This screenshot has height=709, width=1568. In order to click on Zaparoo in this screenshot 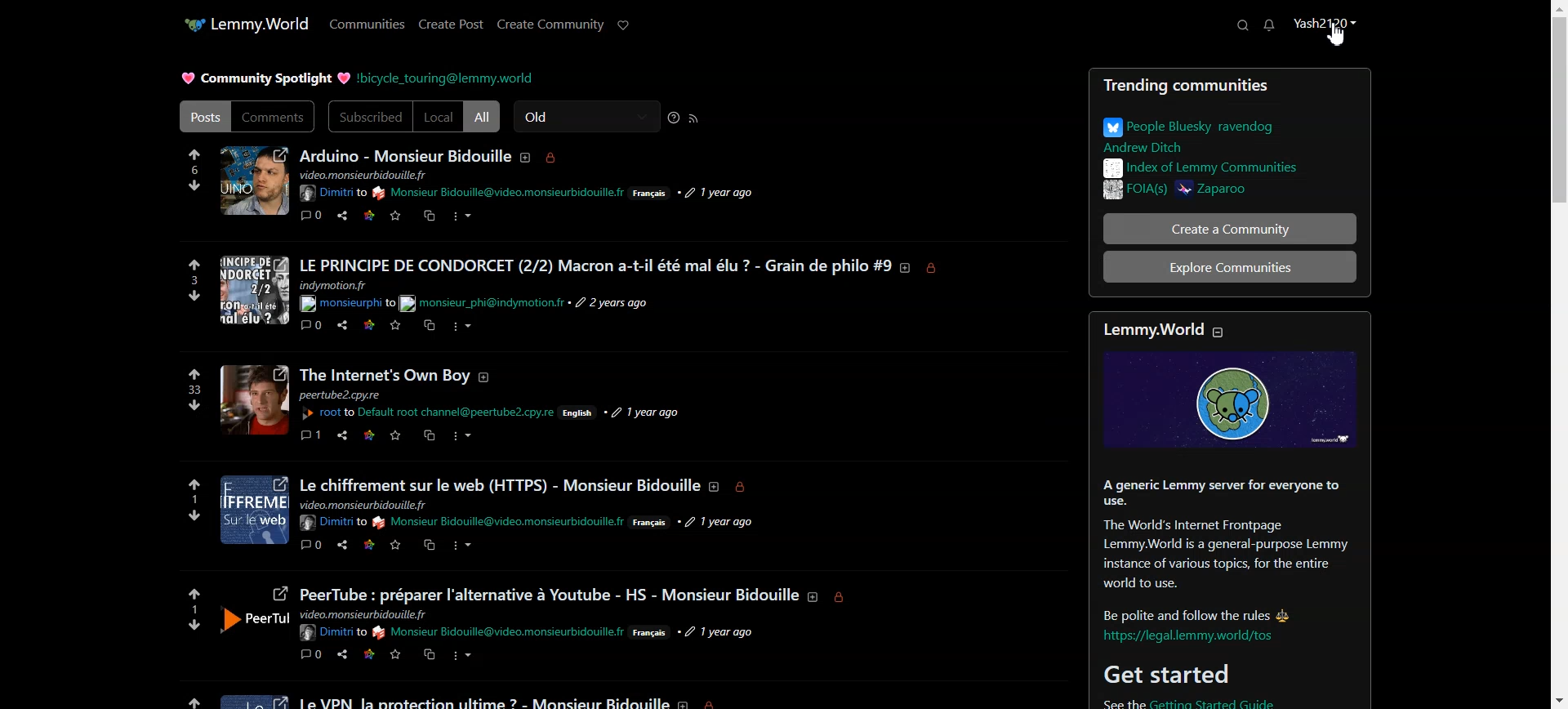, I will do `click(1245, 191)`.